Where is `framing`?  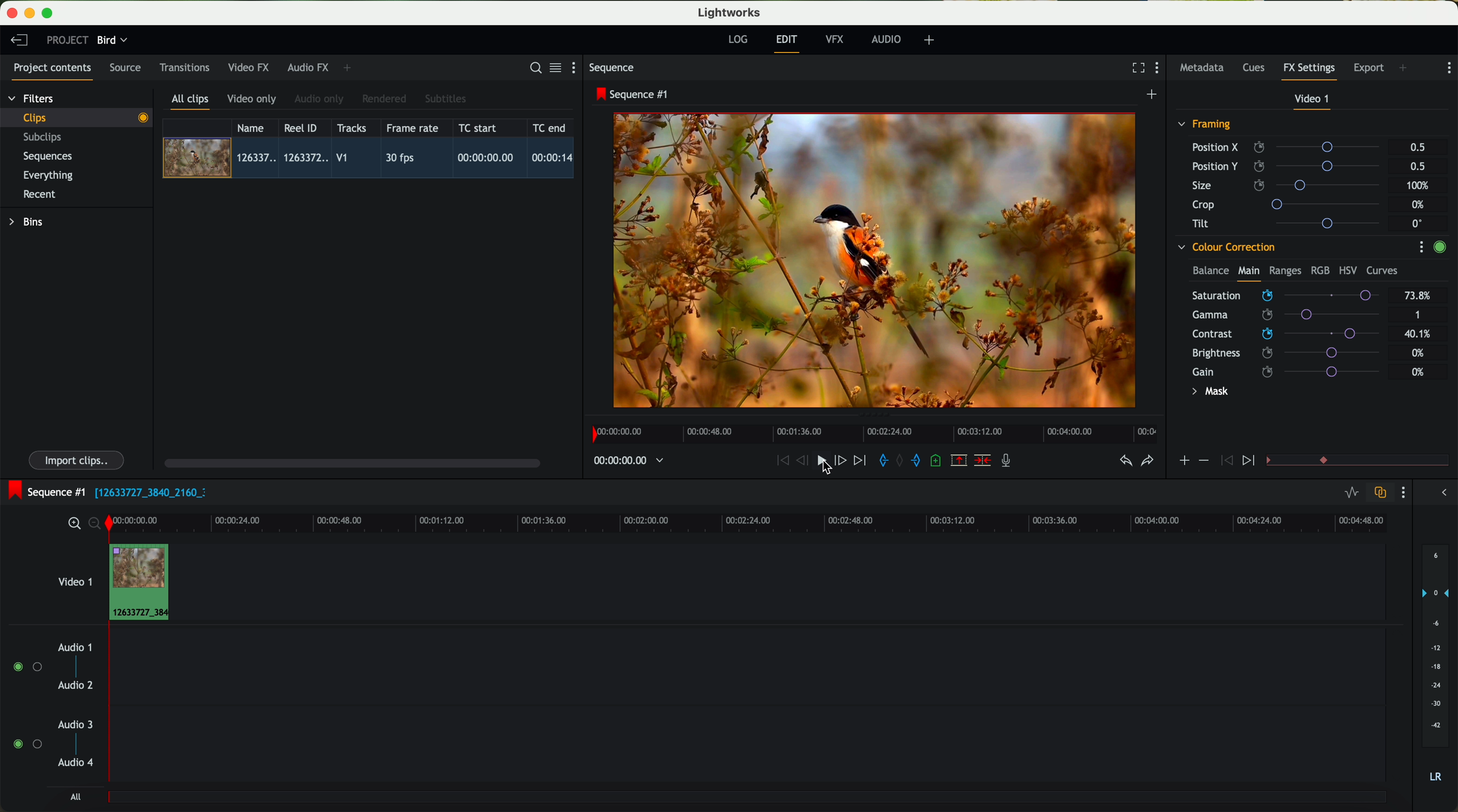
framing is located at coordinates (1205, 126).